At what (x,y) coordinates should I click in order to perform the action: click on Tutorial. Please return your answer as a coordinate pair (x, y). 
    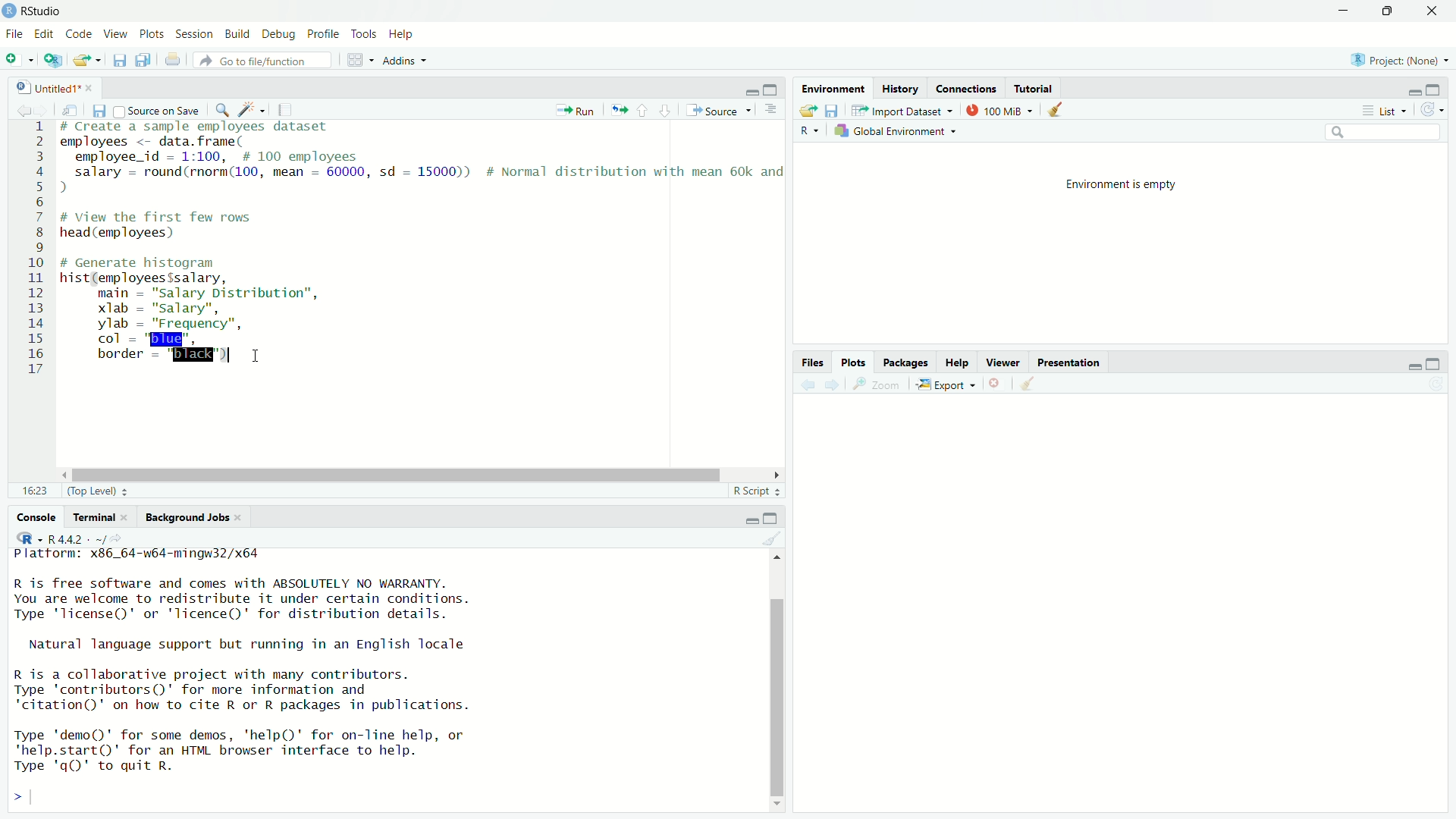
    Looking at the image, I should click on (1034, 88).